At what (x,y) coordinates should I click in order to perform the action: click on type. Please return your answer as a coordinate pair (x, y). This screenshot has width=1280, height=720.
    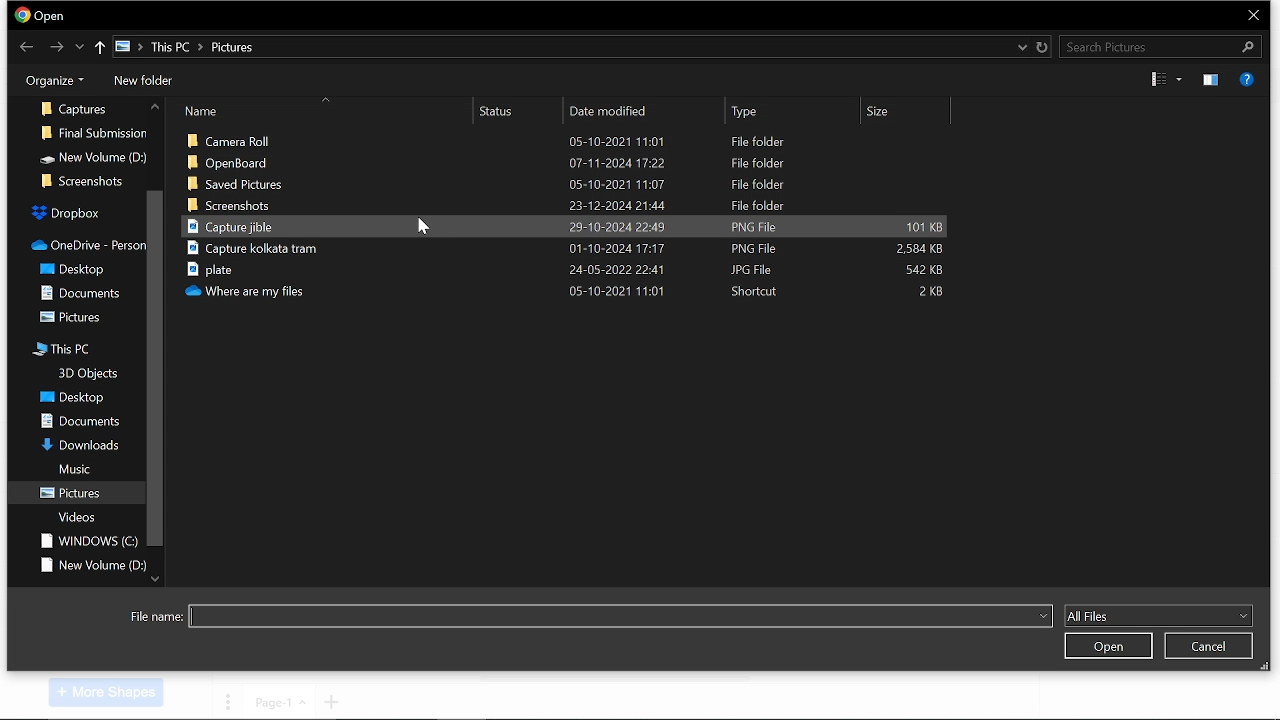
    Looking at the image, I should click on (791, 111).